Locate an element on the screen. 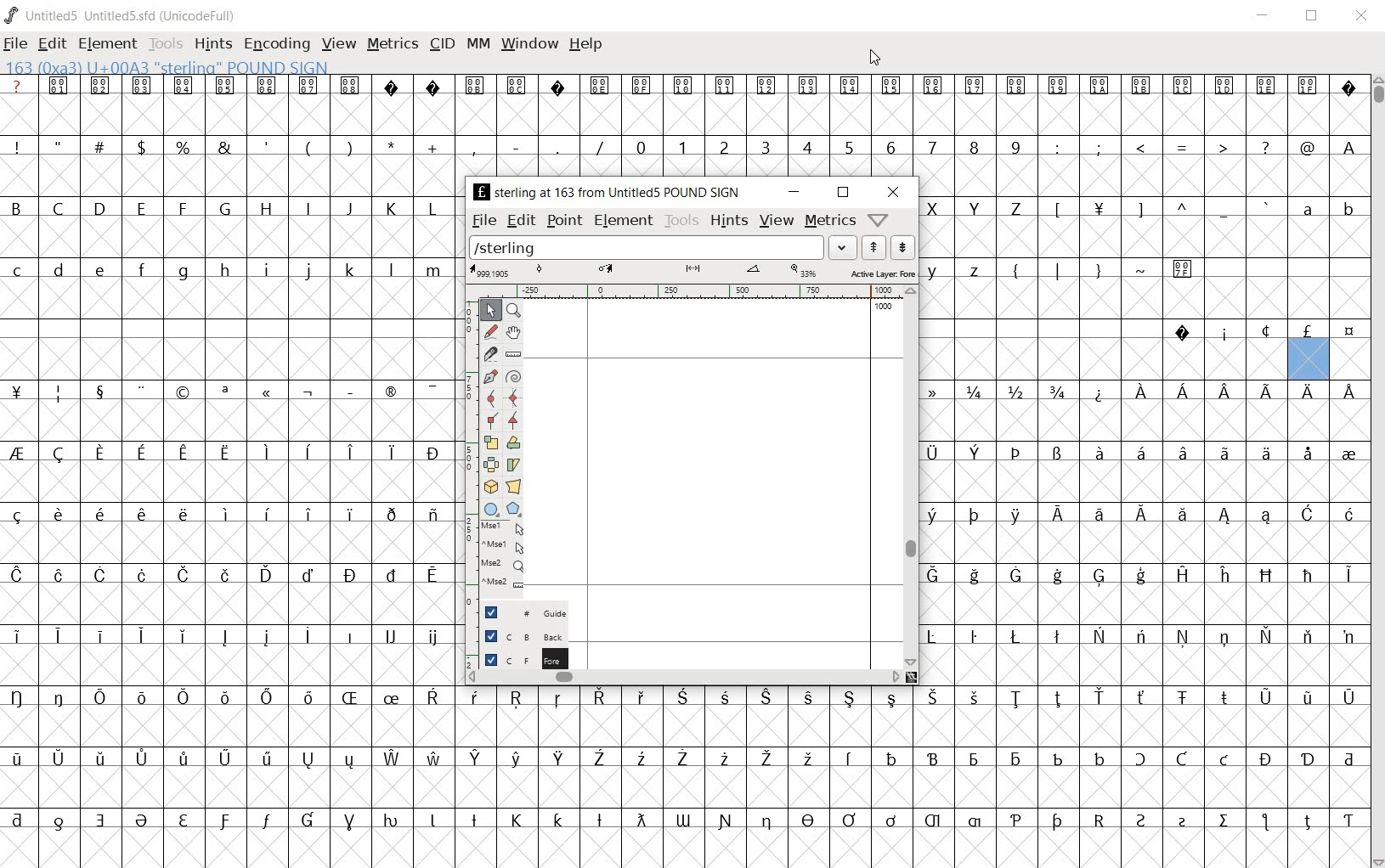 This screenshot has height=868, width=1385. Symbol is located at coordinates (558, 699).